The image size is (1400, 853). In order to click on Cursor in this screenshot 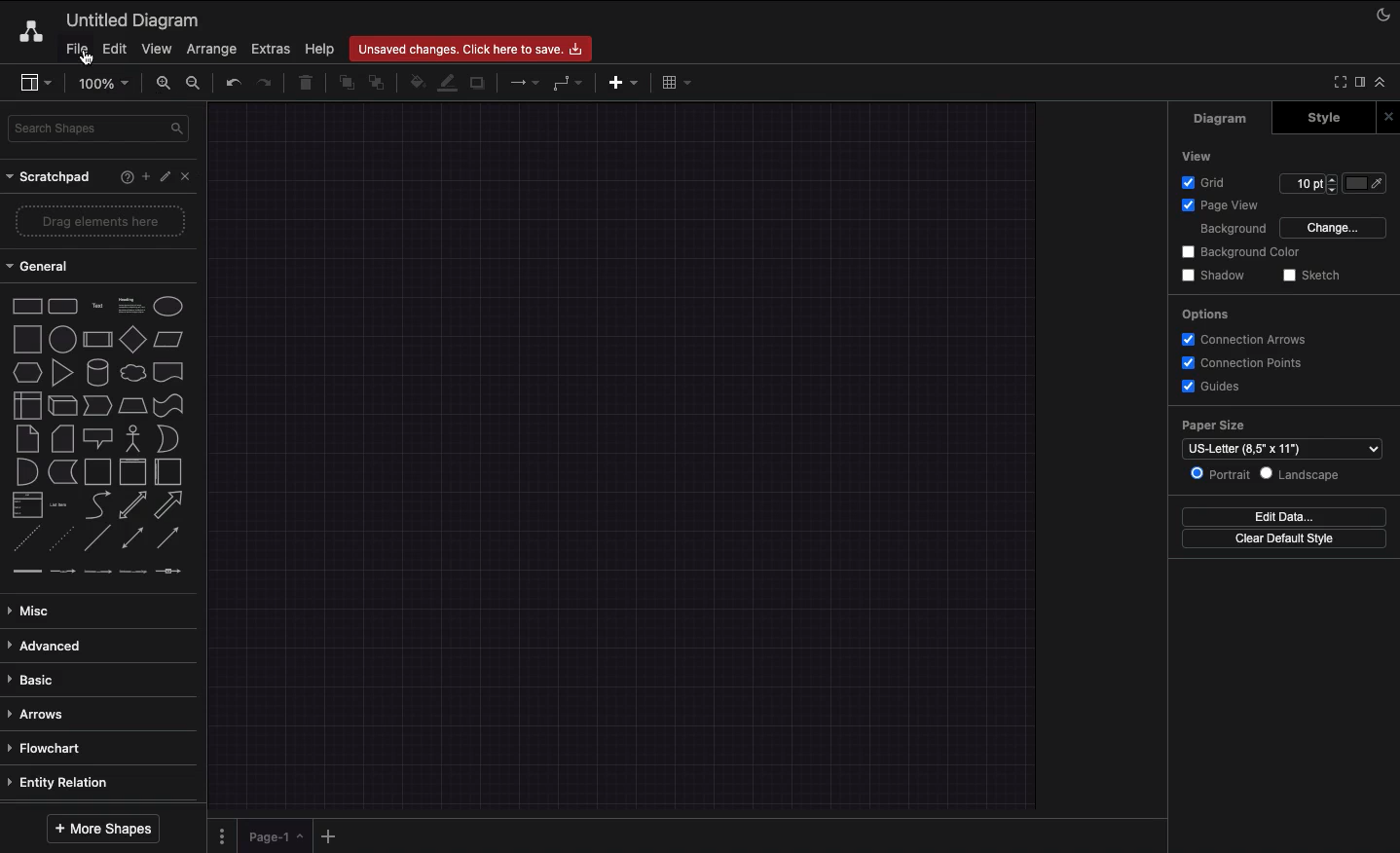, I will do `click(88, 58)`.